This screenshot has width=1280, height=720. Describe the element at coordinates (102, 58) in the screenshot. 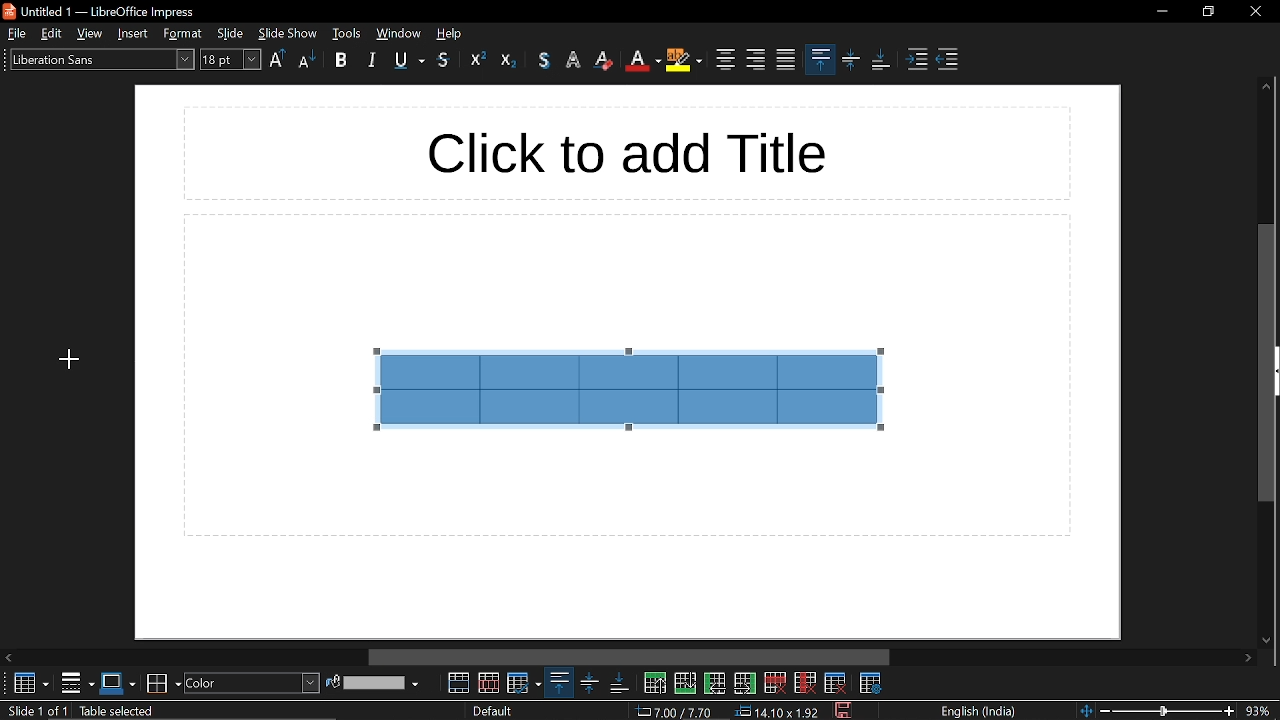

I see `text style` at that location.